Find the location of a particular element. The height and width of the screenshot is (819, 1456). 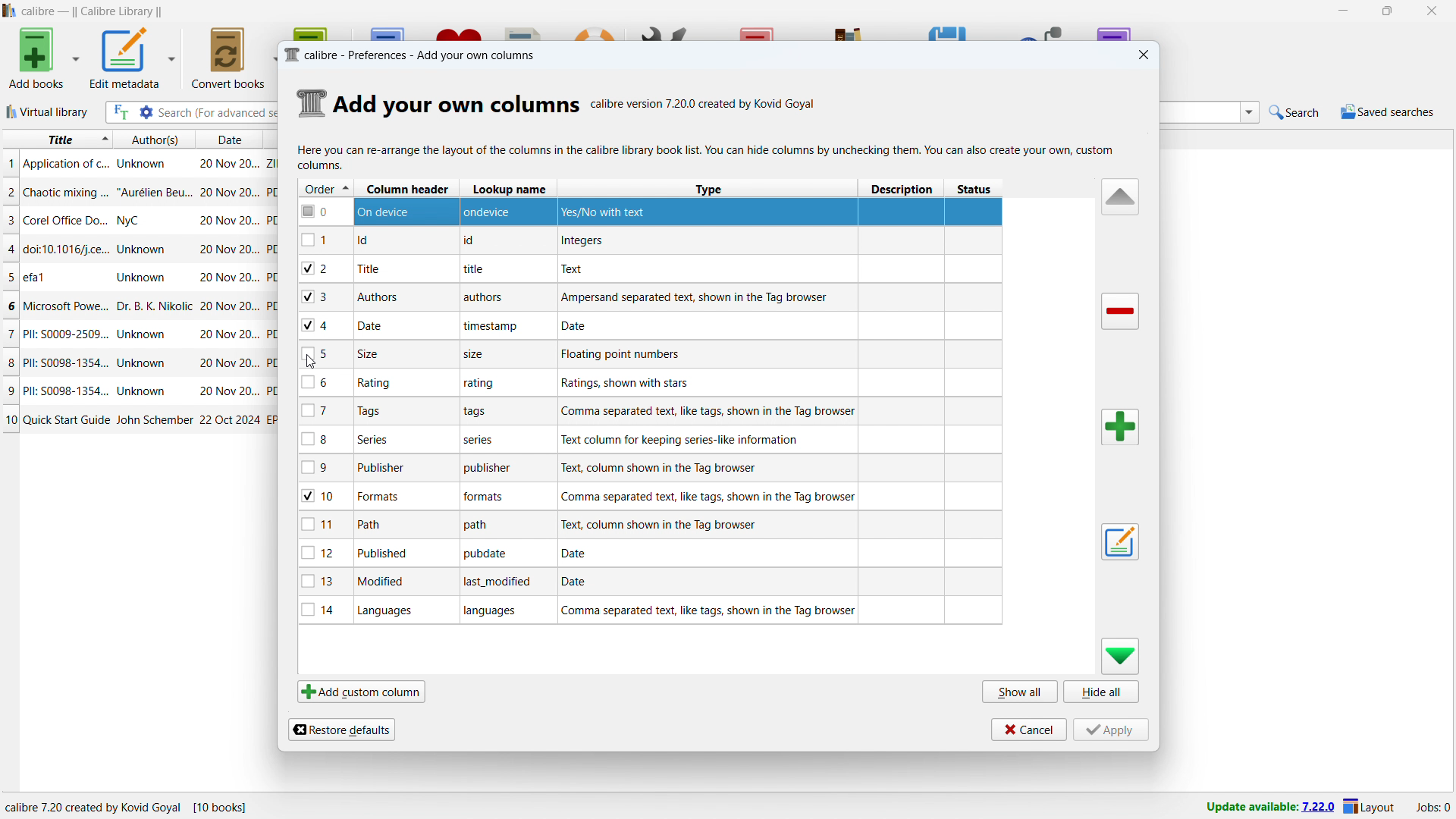

title is located at coordinates (66, 165).